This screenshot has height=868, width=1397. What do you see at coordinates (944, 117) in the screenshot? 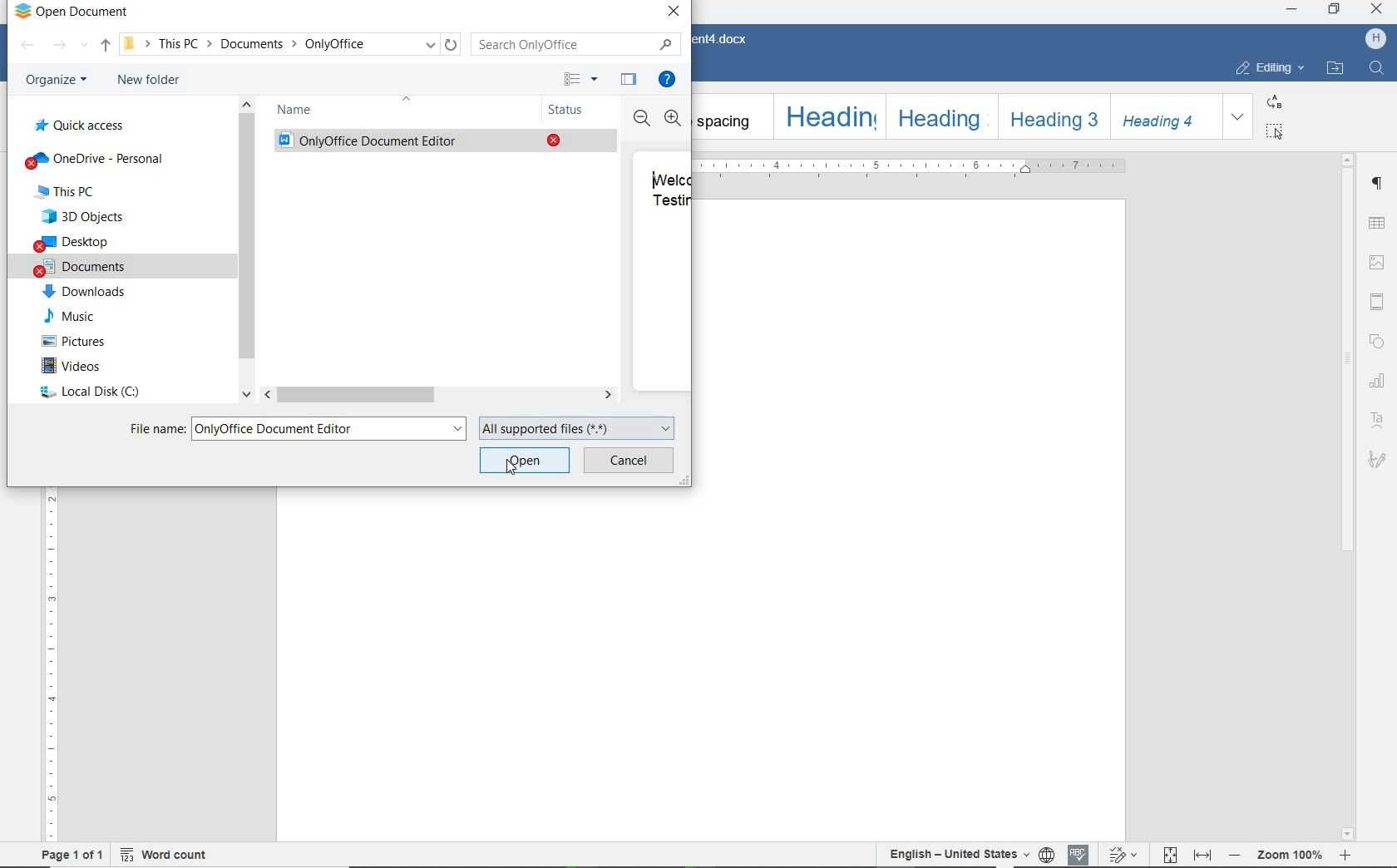
I see `Heading 2` at bounding box center [944, 117].